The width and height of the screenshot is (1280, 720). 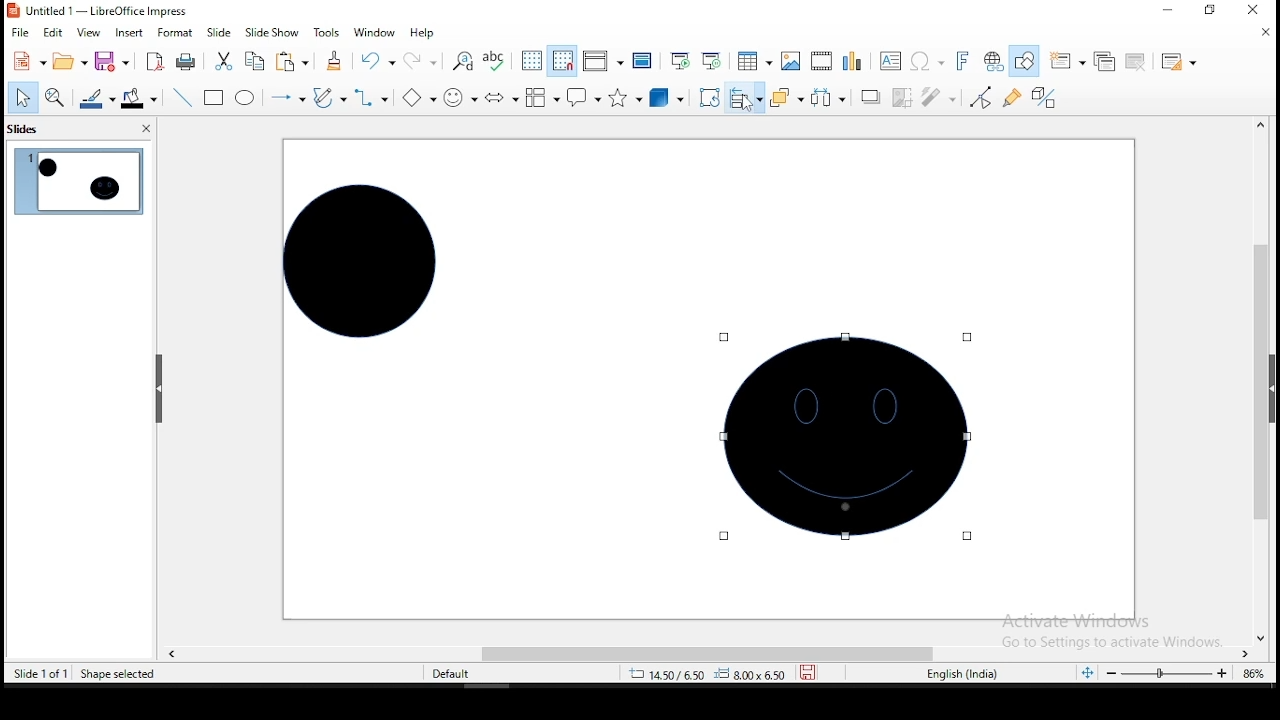 I want to click on toggle extrusion, so click(x=1044, y=100).